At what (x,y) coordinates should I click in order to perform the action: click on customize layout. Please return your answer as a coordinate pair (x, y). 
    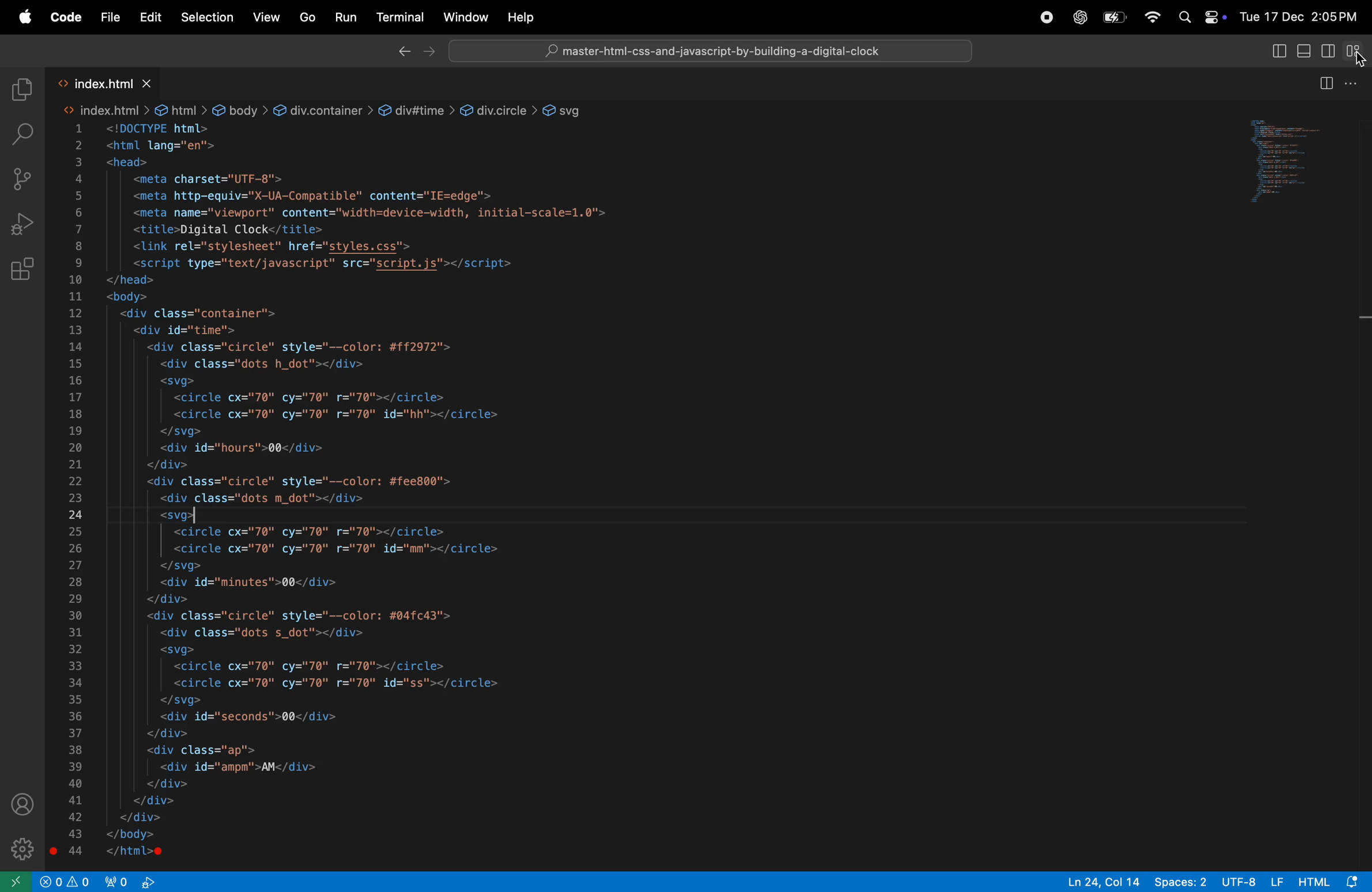
    Looking at the image, I should click on (1356, 51).